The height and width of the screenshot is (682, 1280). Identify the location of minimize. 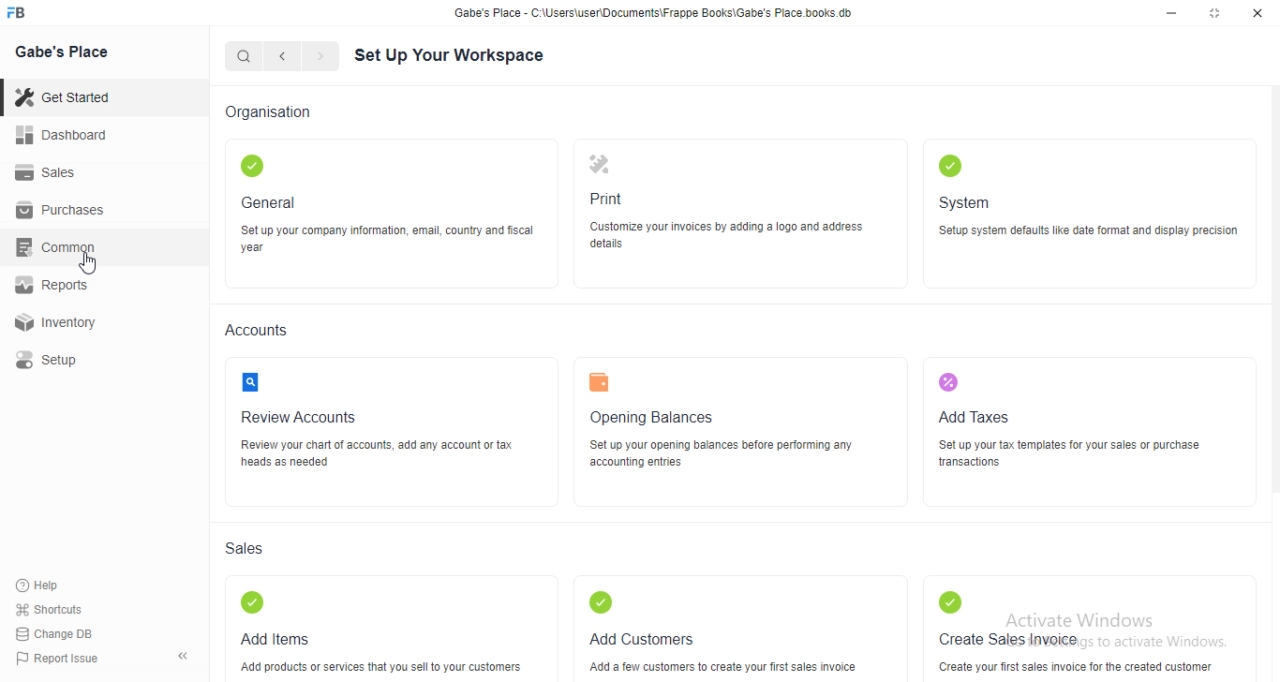
(1172, 13).